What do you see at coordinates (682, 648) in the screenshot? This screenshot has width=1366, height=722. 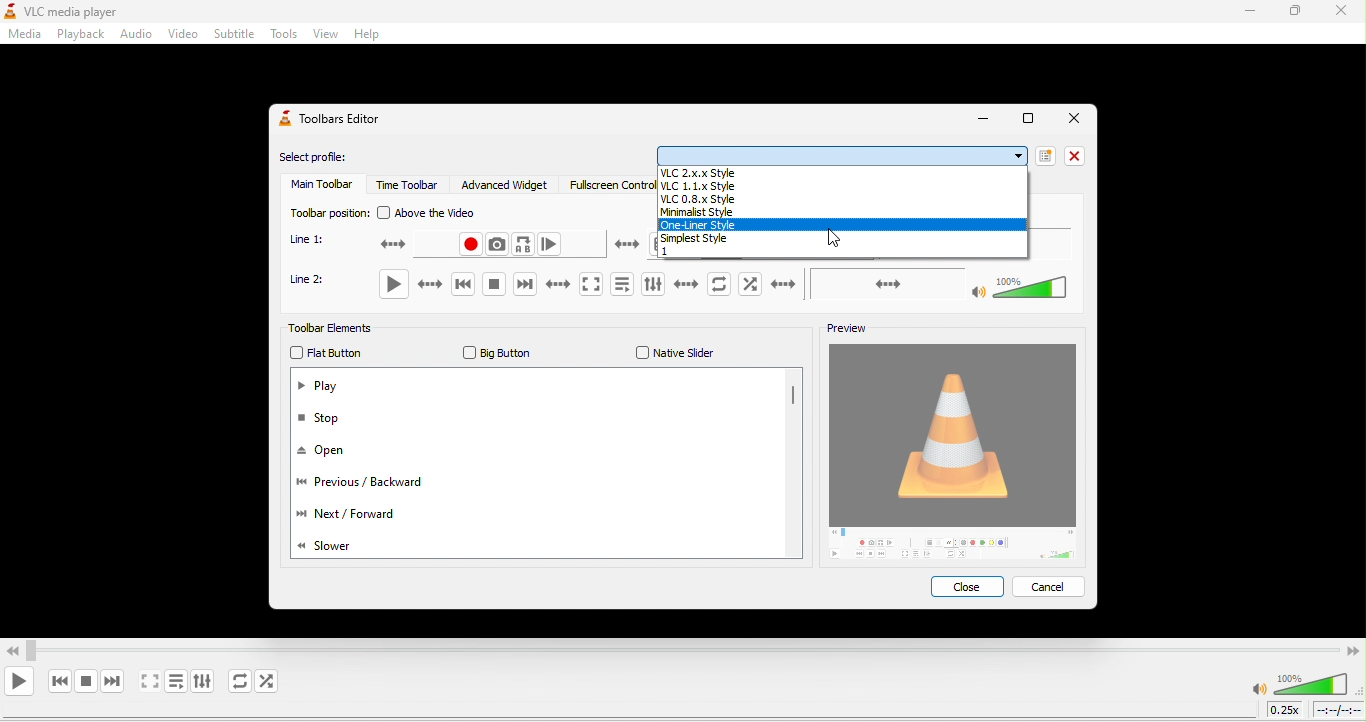 I see `Video Scroll bar` at bounding box center [682, 648].